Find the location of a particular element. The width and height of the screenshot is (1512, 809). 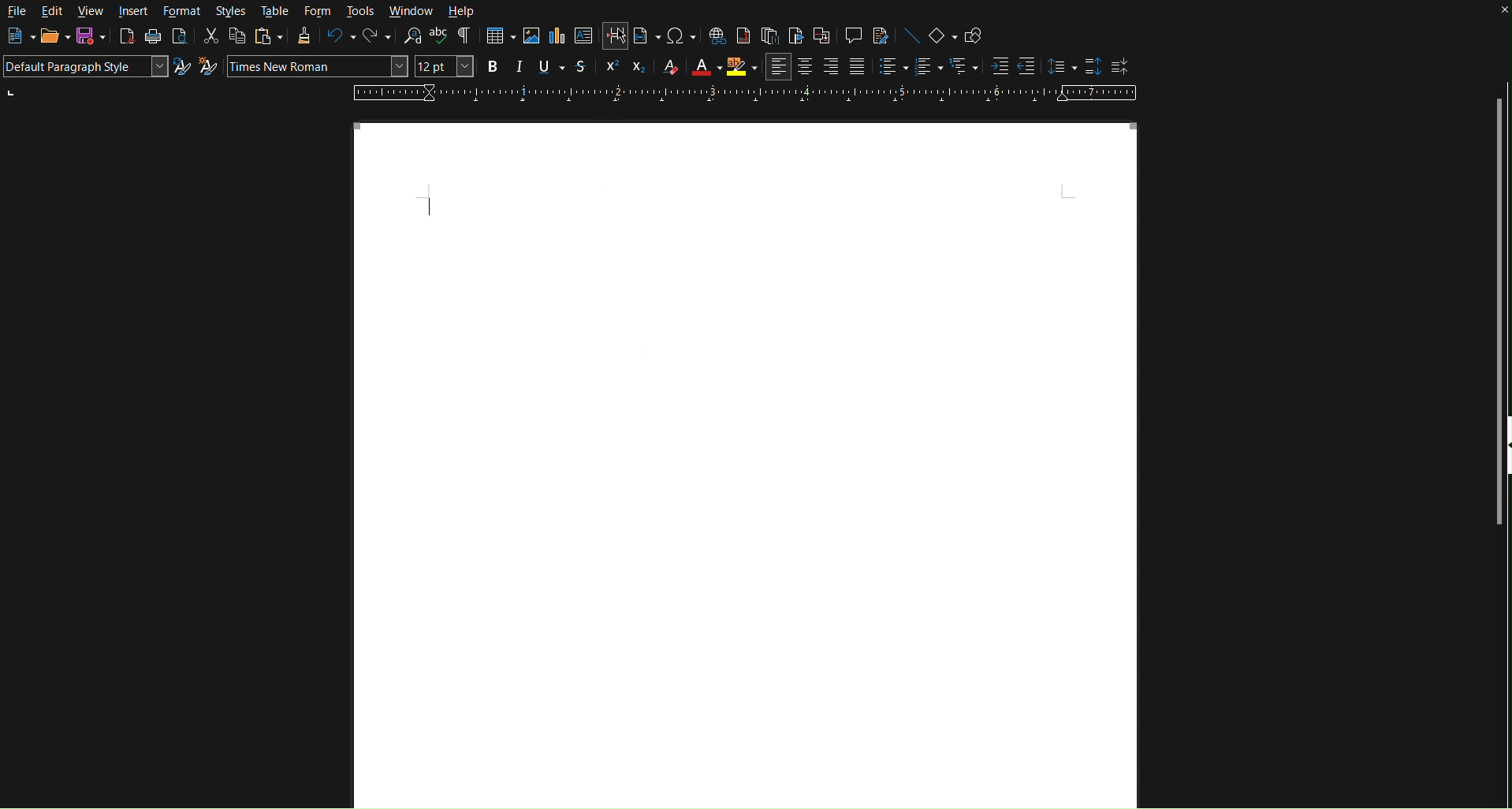

Toggle formatting Marks is located at coordinates (467, 37).